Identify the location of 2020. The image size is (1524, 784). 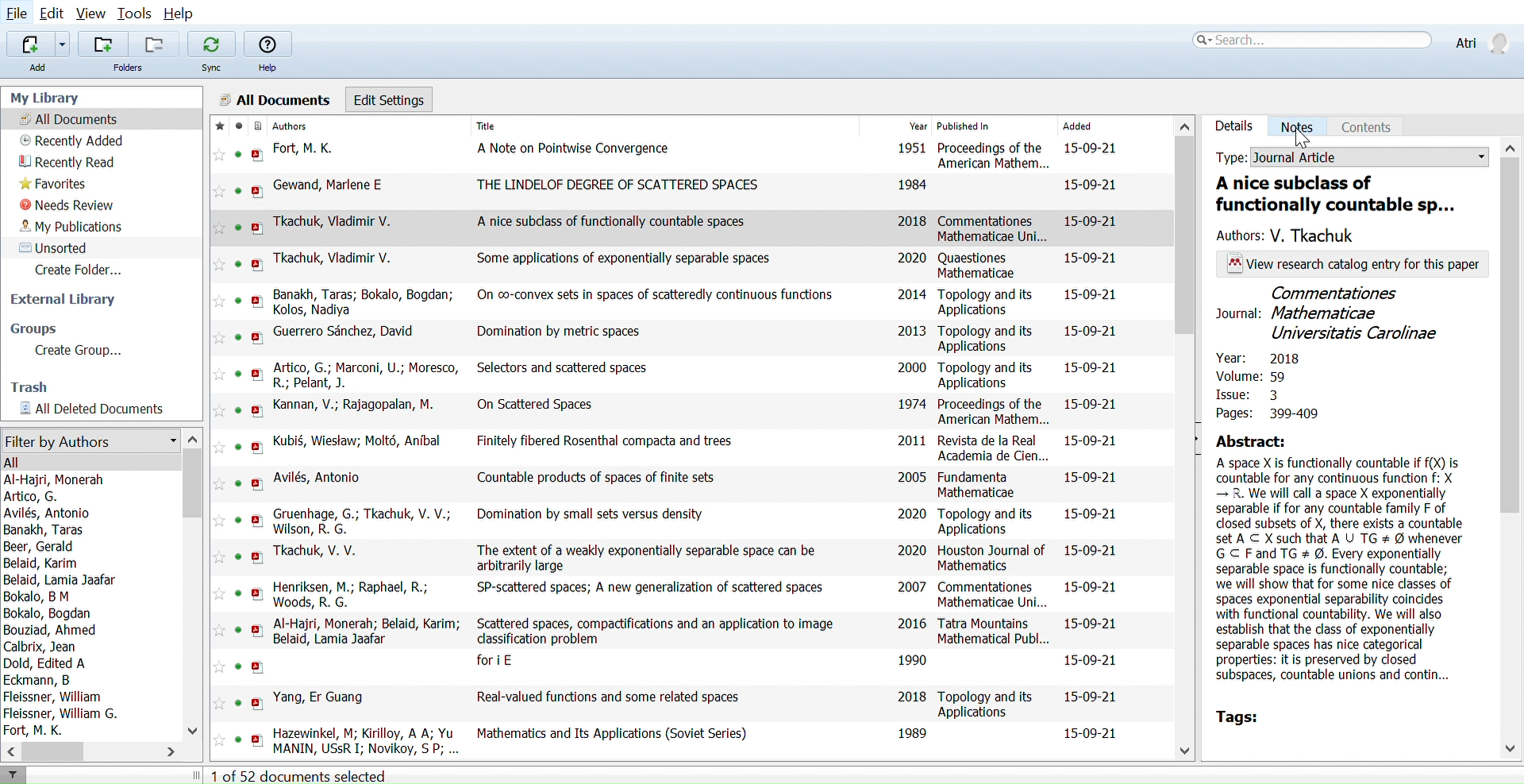
(910, 551).